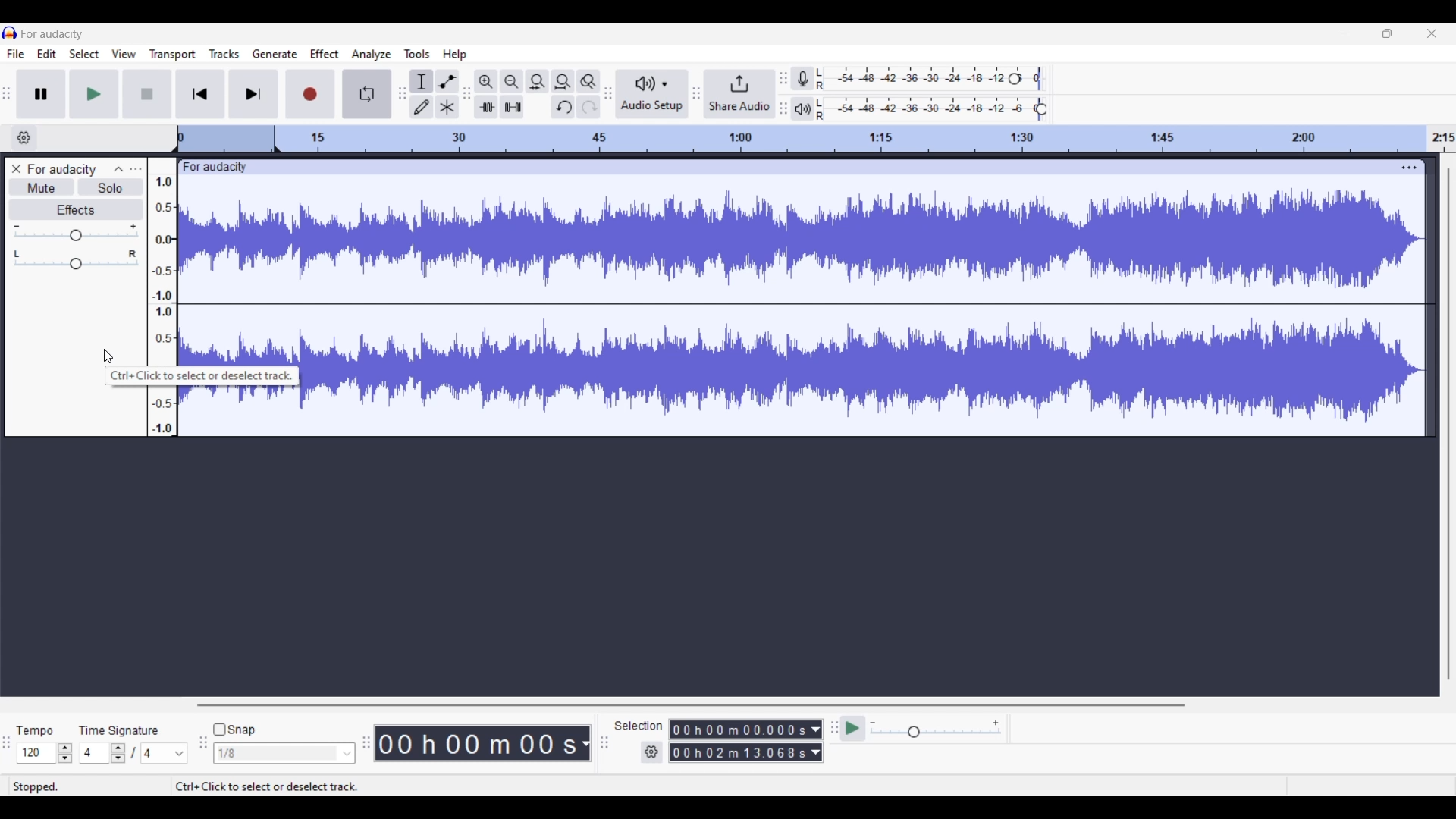 Image resolution: width=1456 pixels, height=819 pixels. I want to click on Fit selection to width, so click(537, 81).